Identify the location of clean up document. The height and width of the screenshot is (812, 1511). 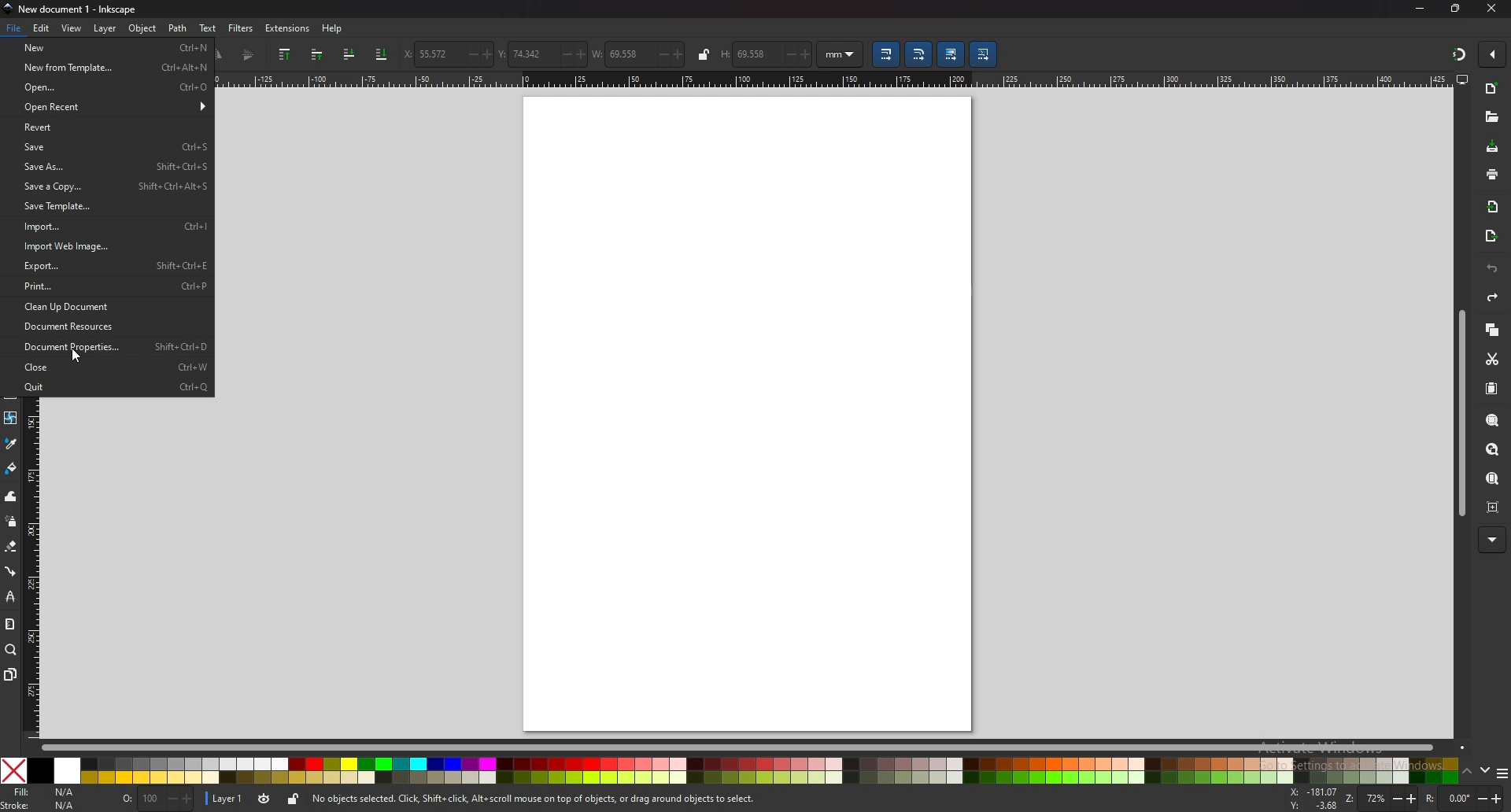
(105, 306).